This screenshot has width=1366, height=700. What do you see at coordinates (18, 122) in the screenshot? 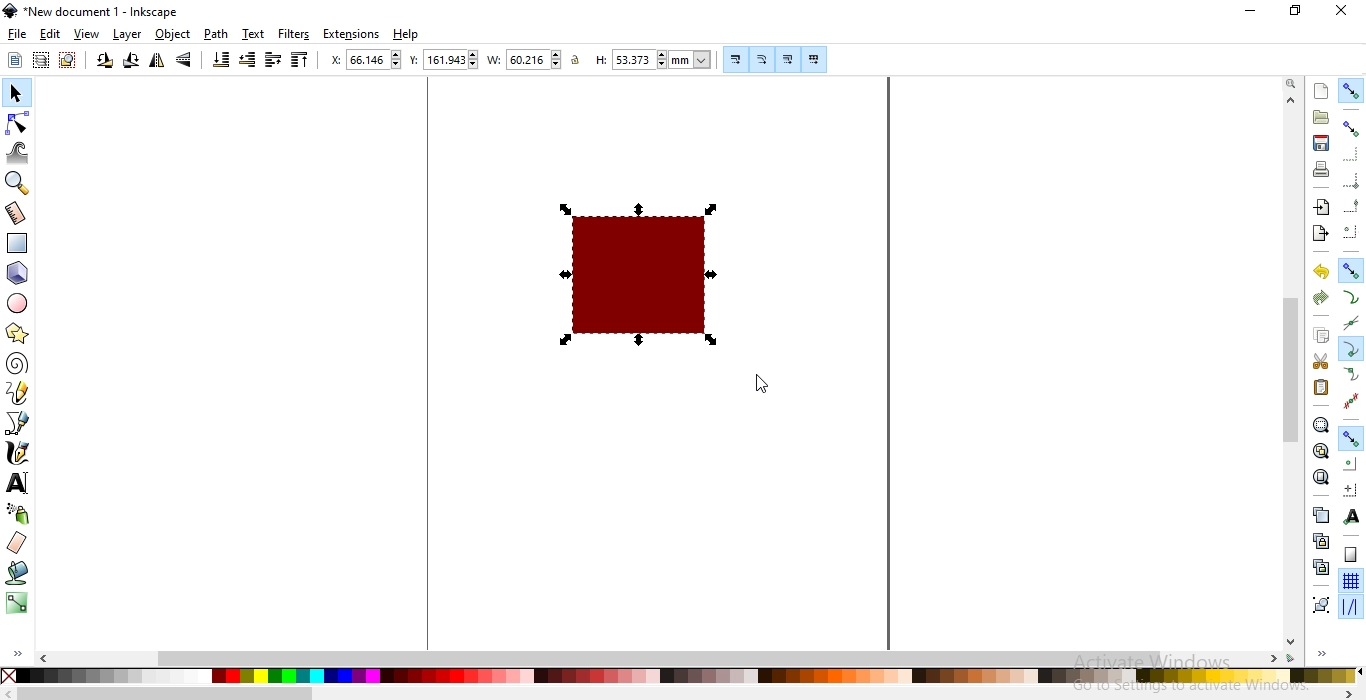
I see `edit paths by nodes` at bounding box center [18, 122].